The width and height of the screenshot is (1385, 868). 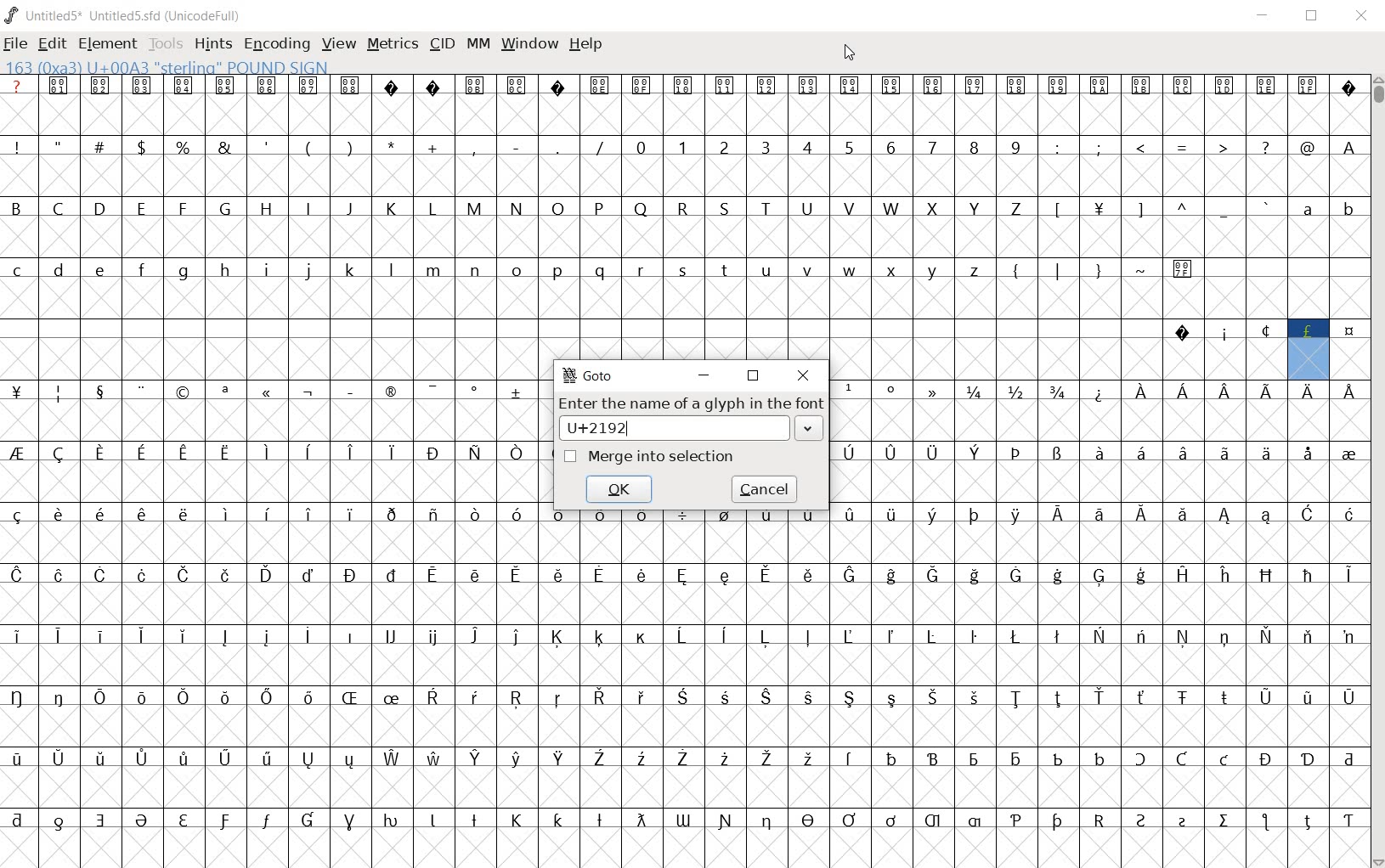 What do you see at coordinates (760, 488) in the screenshot?
I see `cancel` at bounding box center [760, 488].